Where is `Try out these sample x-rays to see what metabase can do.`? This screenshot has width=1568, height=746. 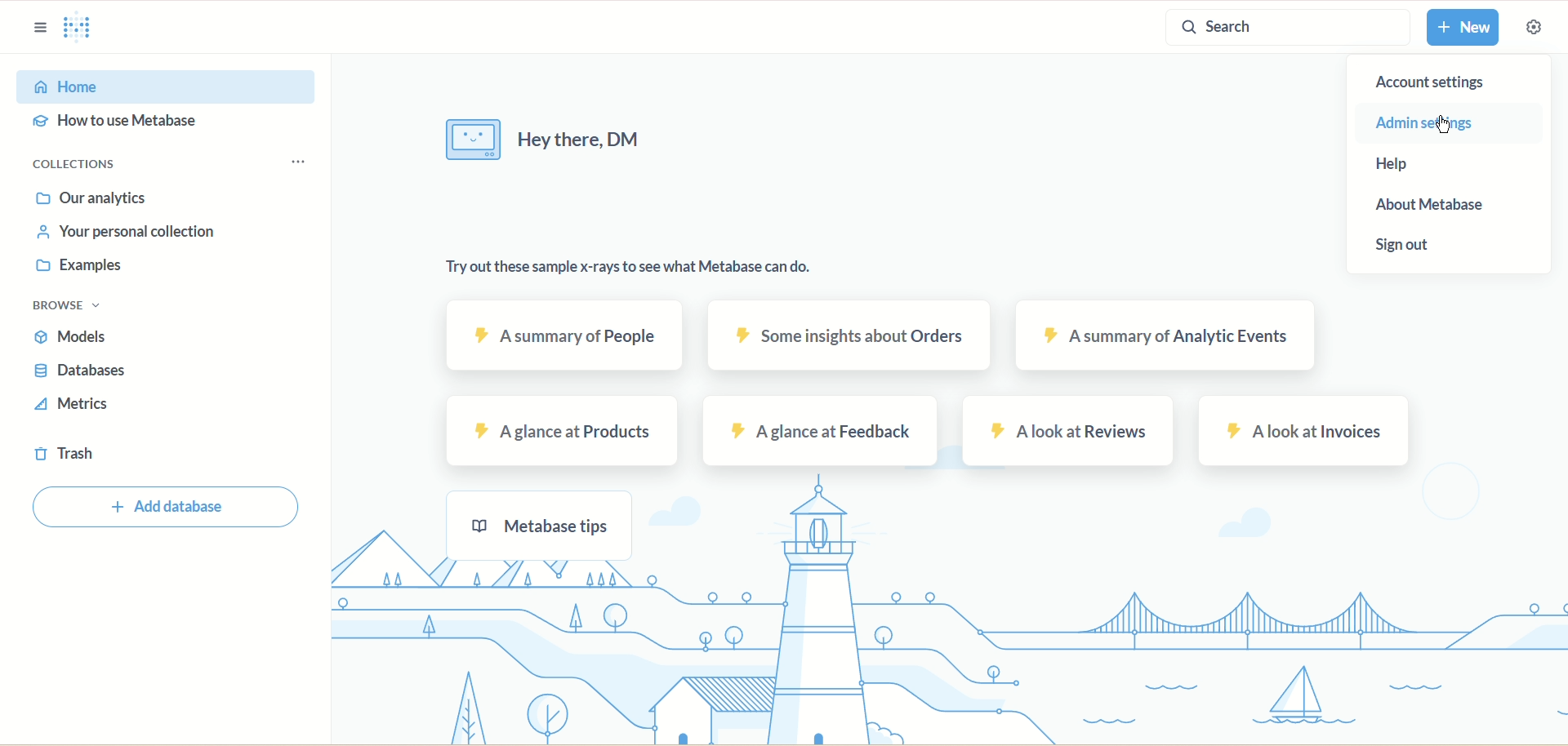
Try out these sample x-rays to see what metabase can do. is located at coordinates (643, 263).